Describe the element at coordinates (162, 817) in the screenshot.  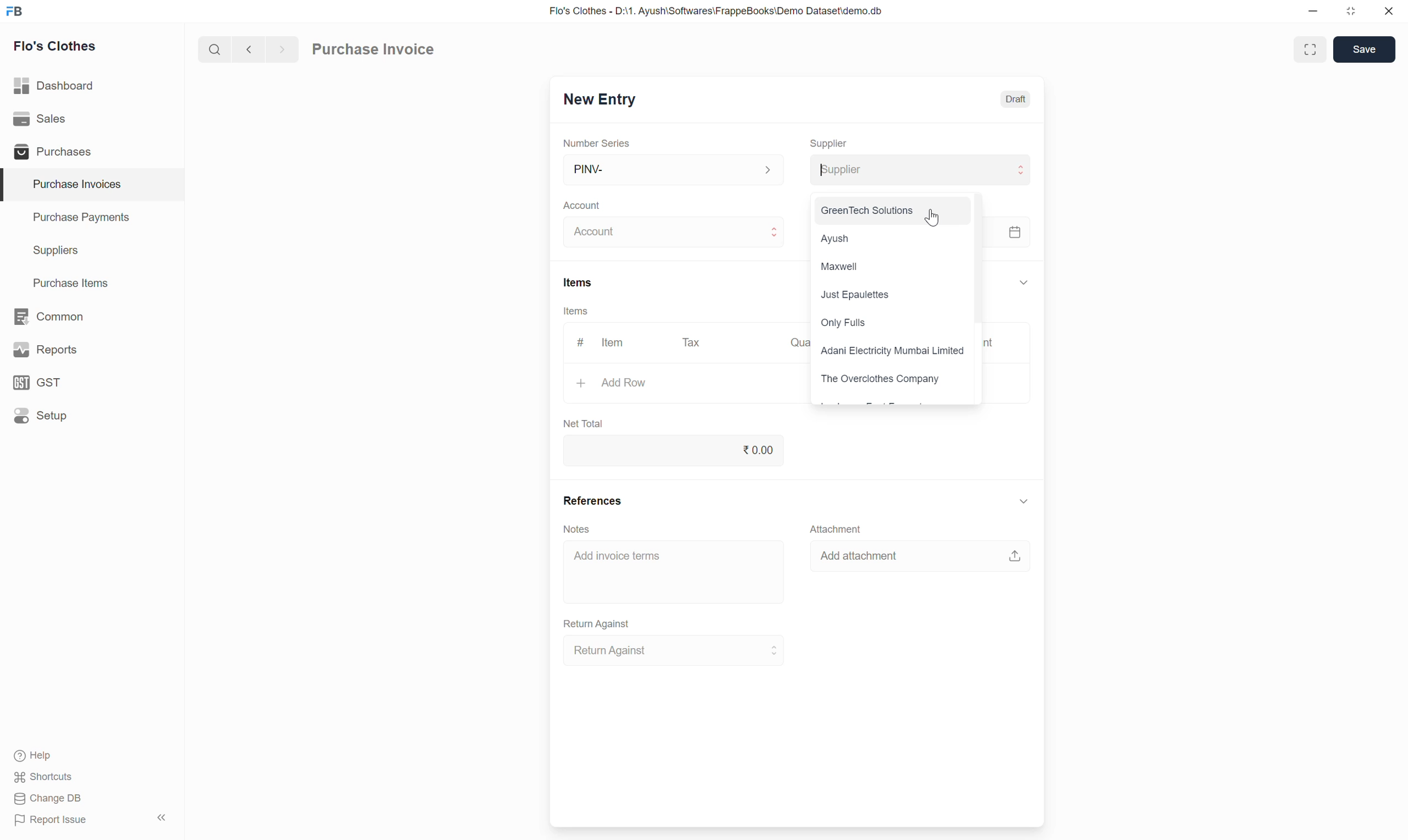
I see `Collapse` at that location.